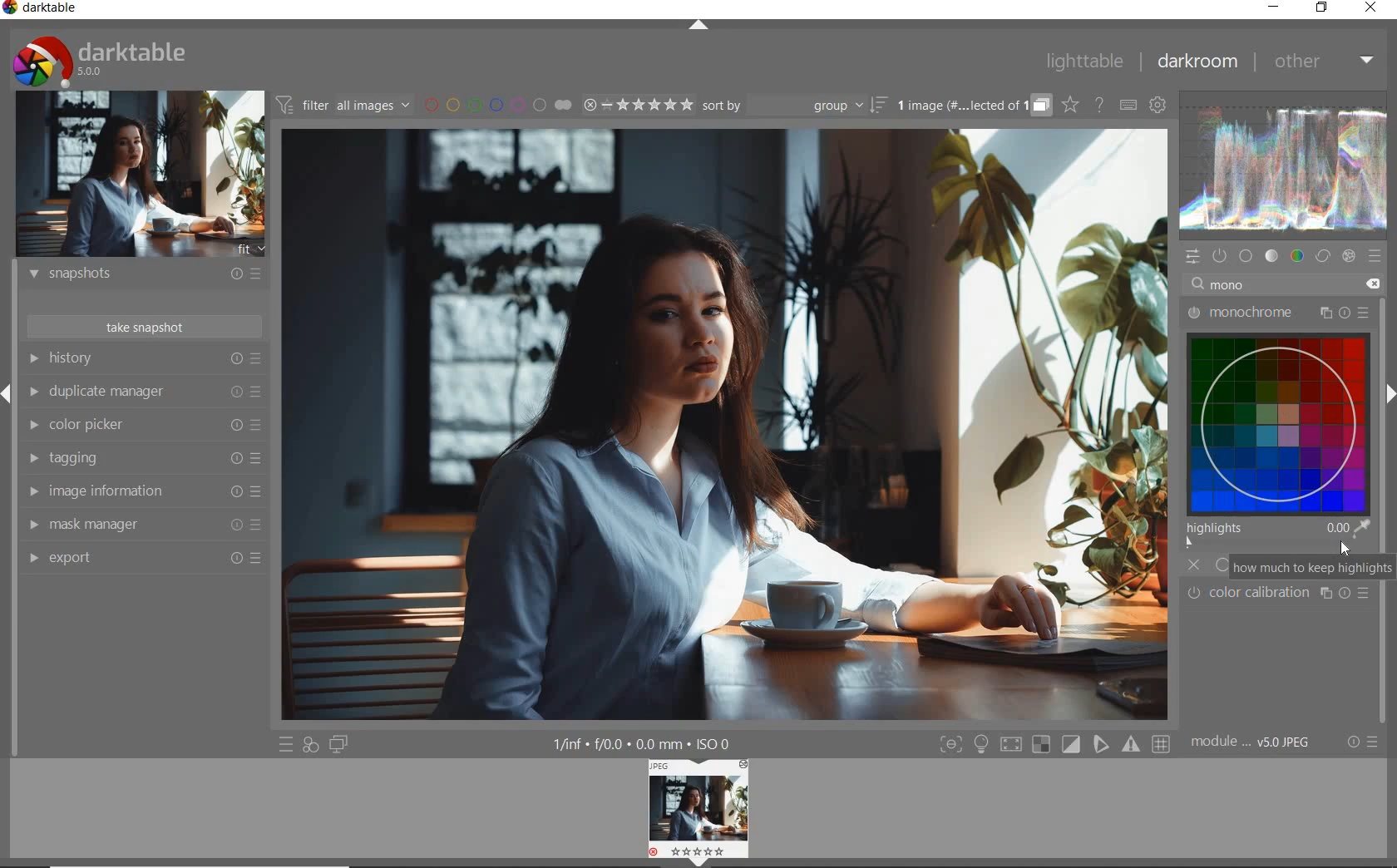 Image resolution: width=1397 pixels, height=868 pixels. I want to click on take snapshot, so click(143, 326).